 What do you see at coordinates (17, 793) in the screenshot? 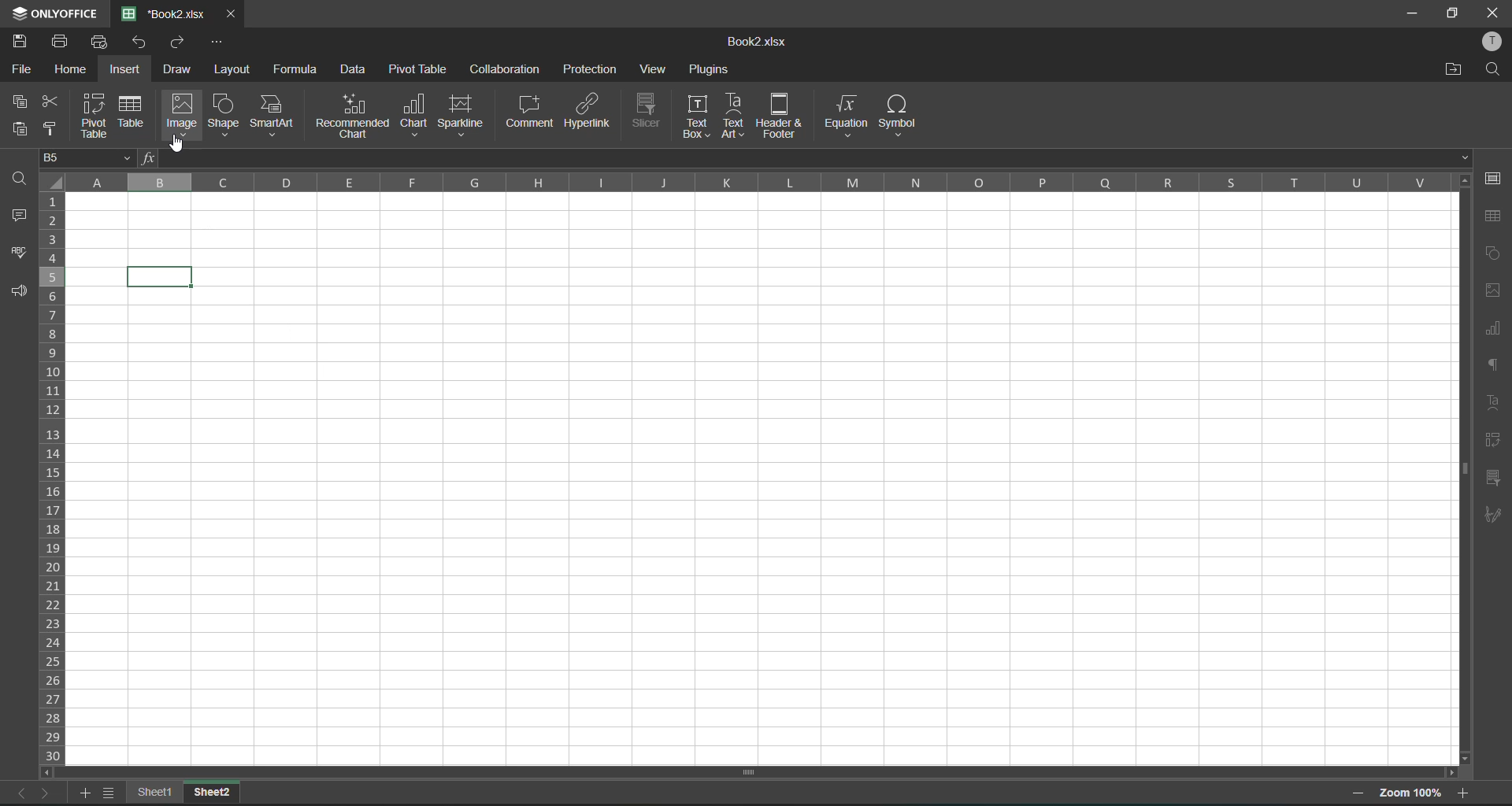
I see `previous` at bounding box center [17, 793].